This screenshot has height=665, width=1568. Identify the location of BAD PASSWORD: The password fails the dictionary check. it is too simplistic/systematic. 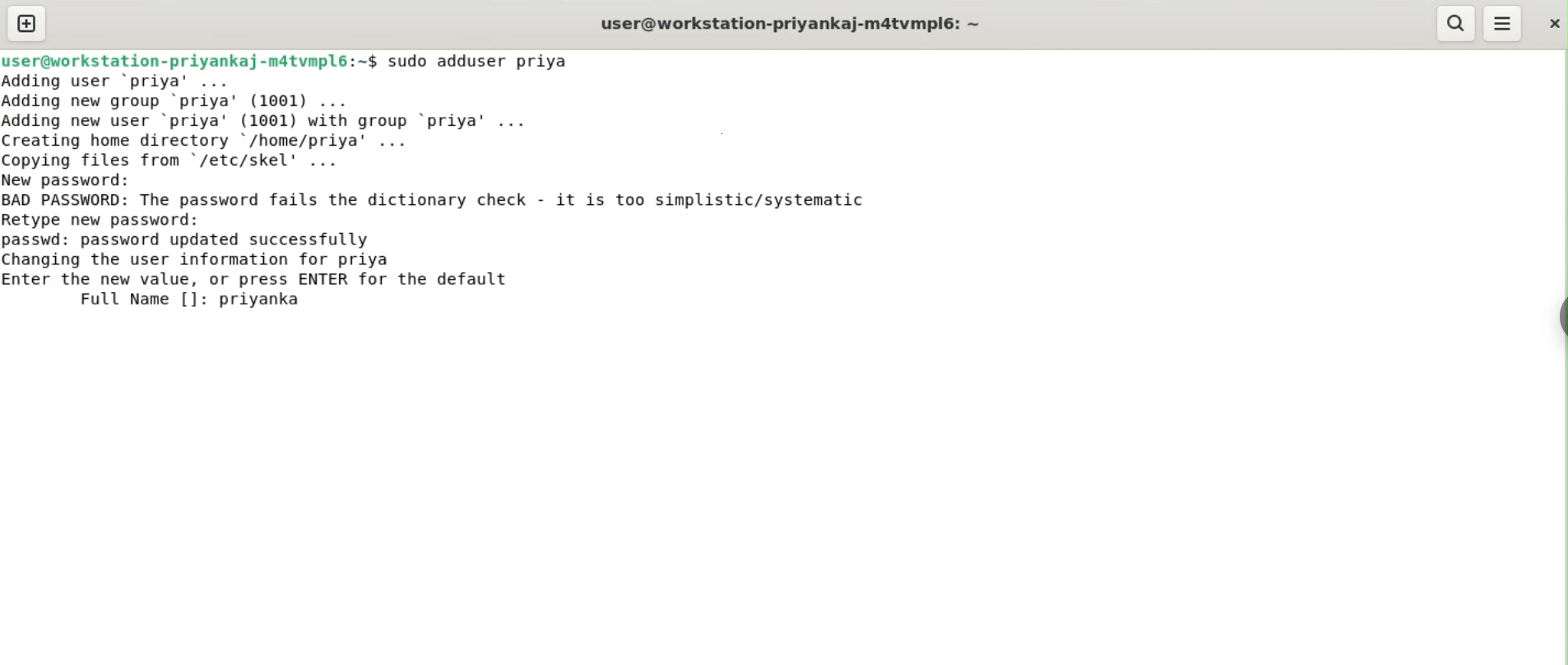
(464, 201).